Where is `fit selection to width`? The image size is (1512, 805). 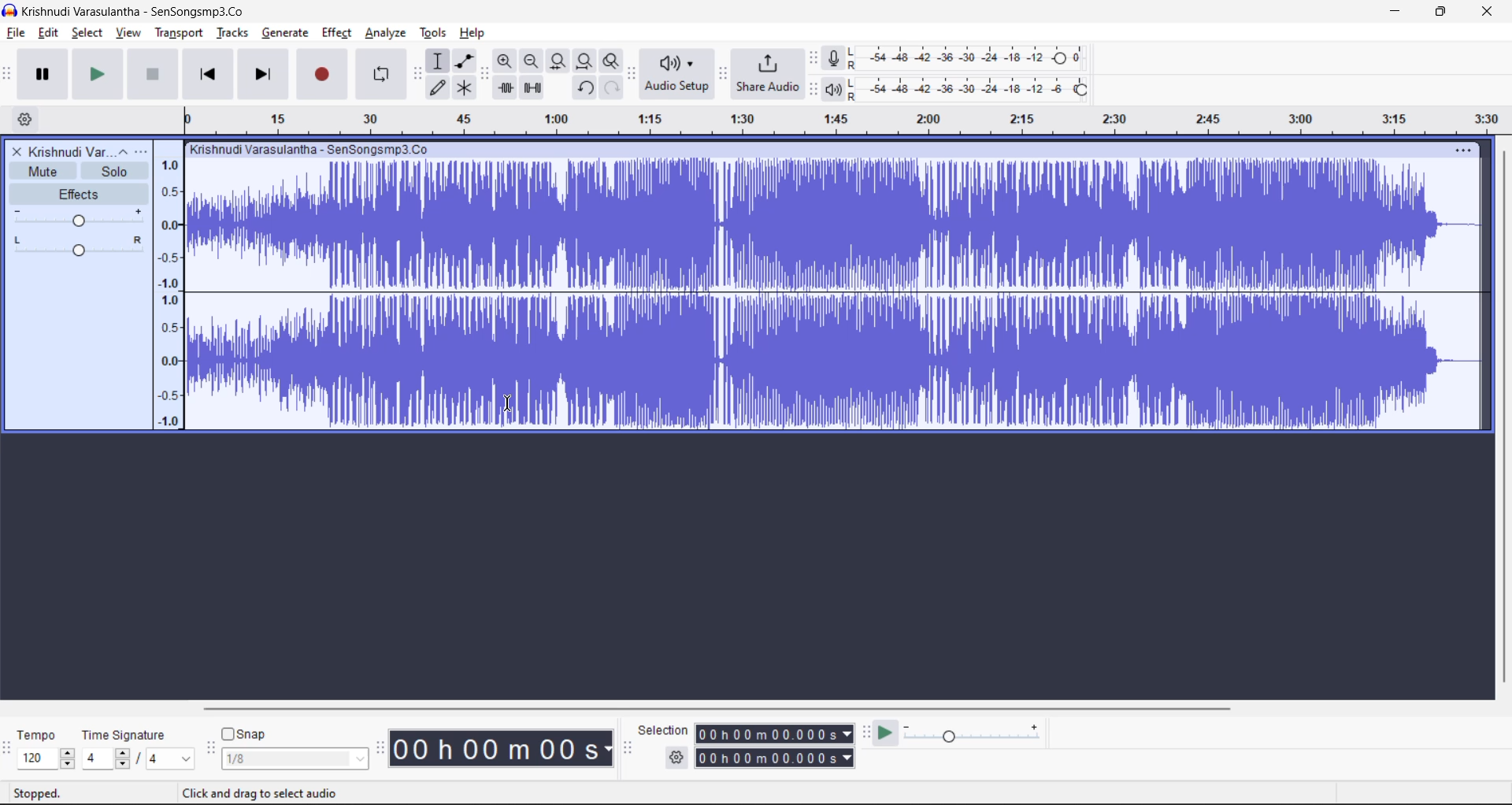 fit selection to width is located at coordinates (560, 61).